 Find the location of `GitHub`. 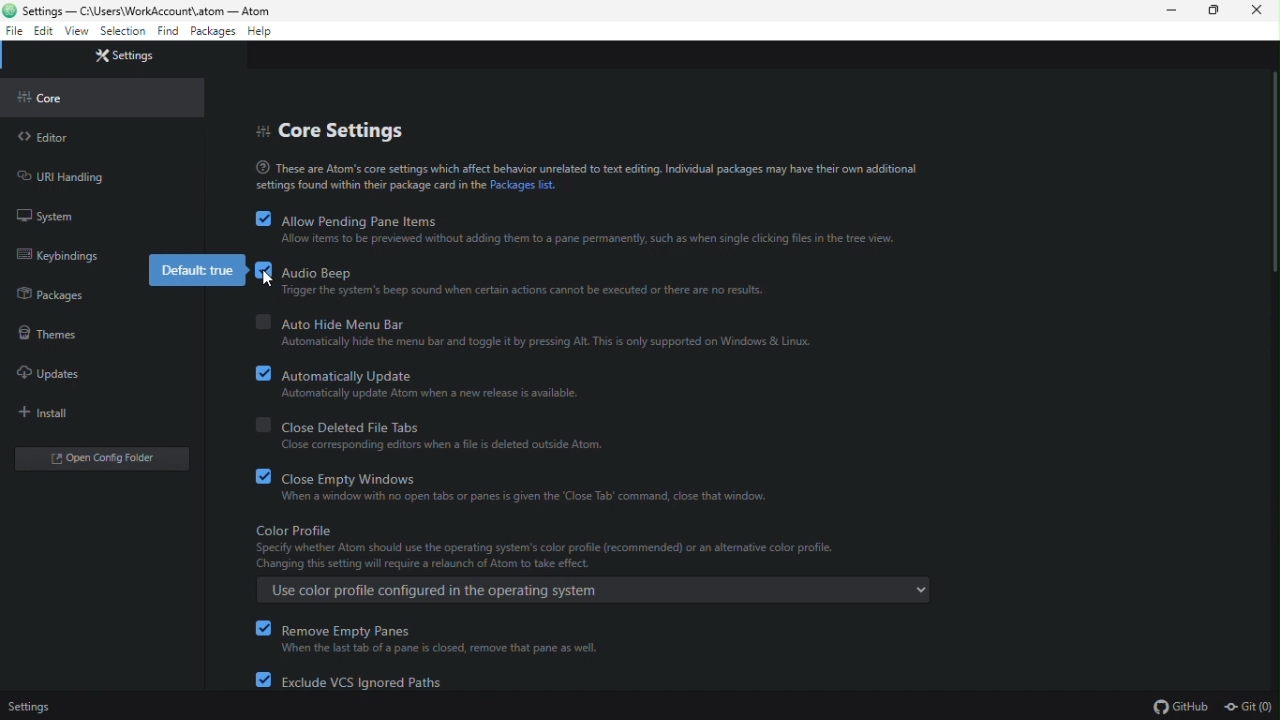

GitHub is located at coordinates (1176, 704).